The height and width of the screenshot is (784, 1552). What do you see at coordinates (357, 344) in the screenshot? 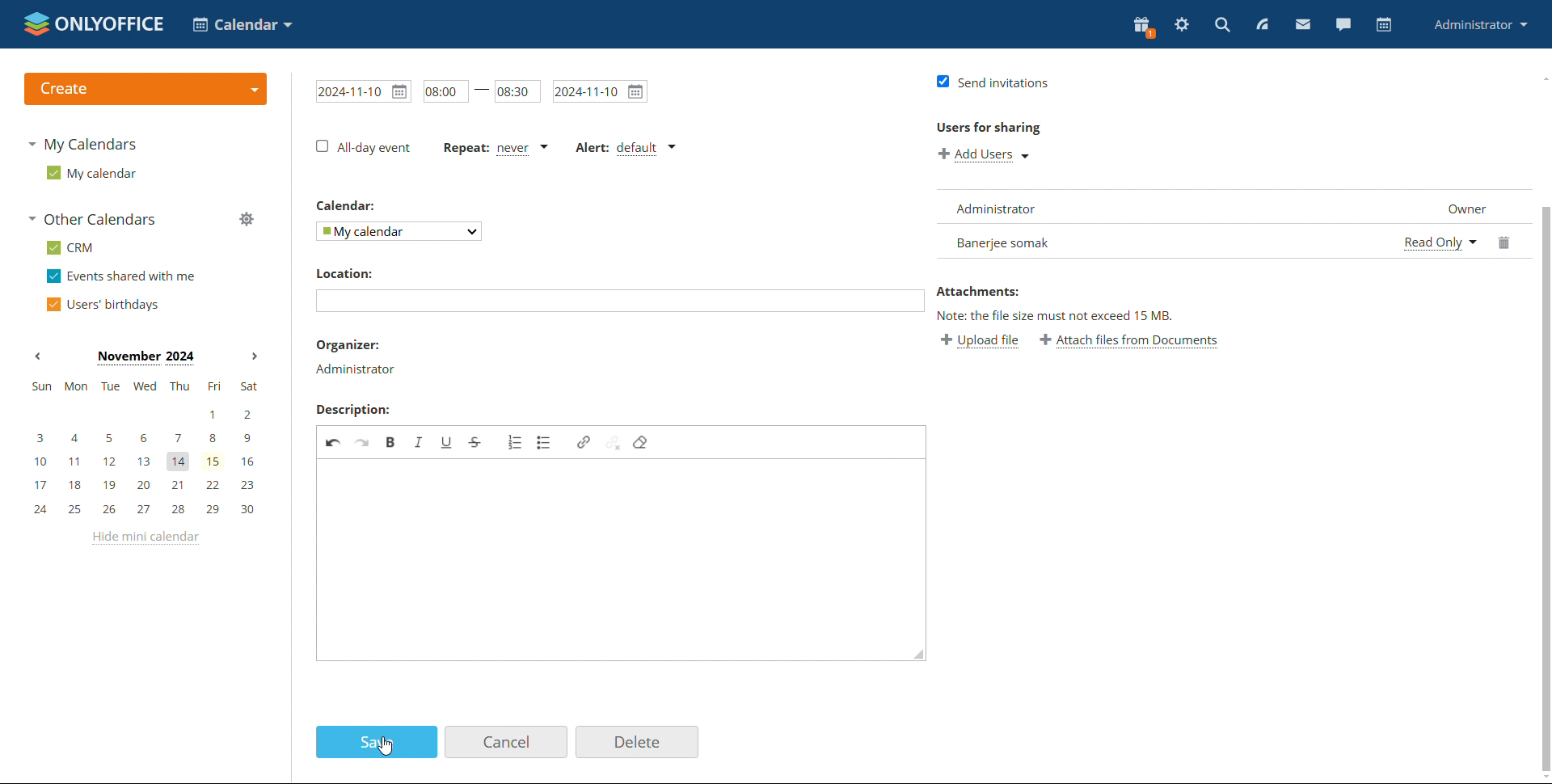
I see `organizer:` at bounding box center [357, 344].